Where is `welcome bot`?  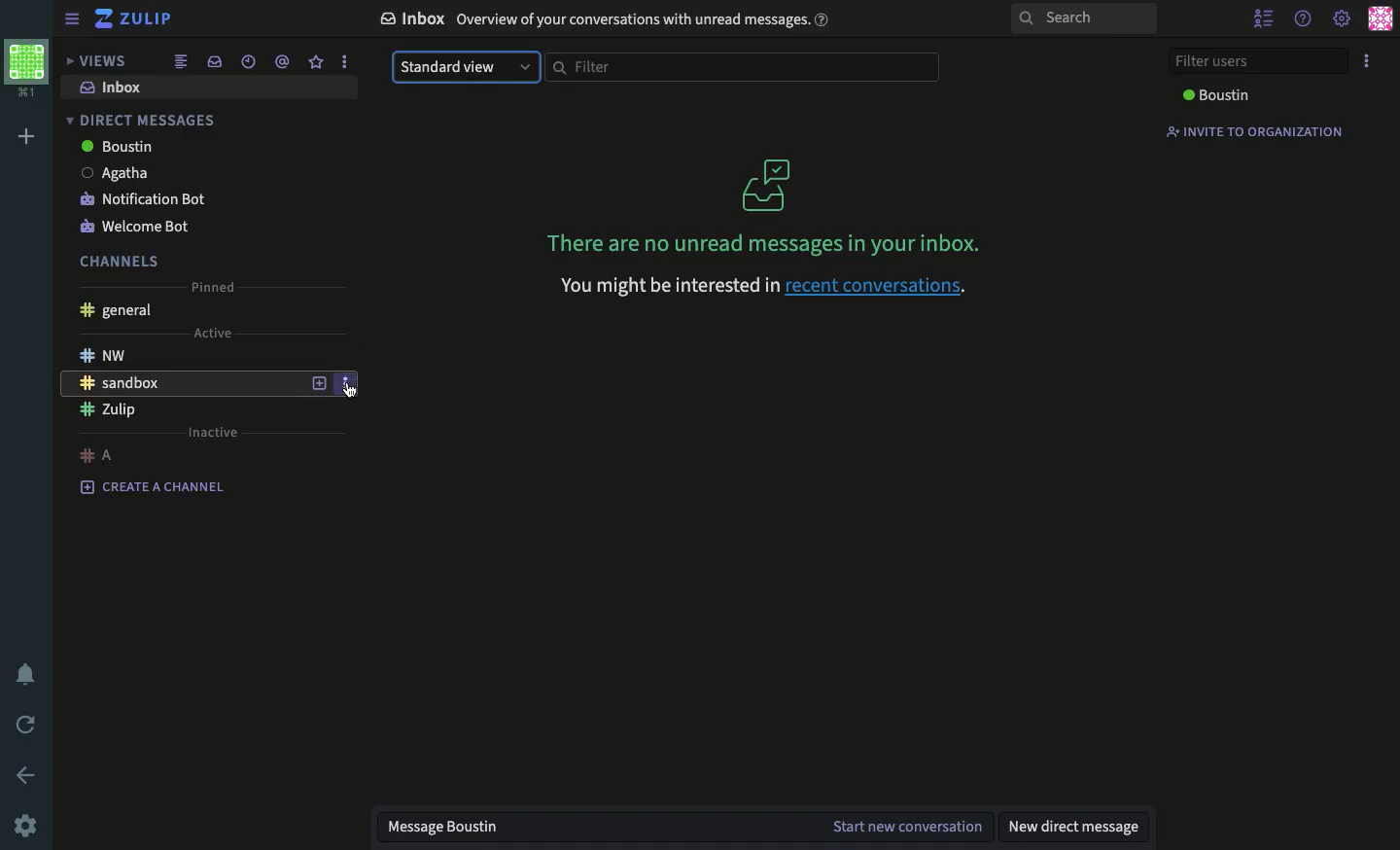 welcome bot is located at coordinates (138, 226).